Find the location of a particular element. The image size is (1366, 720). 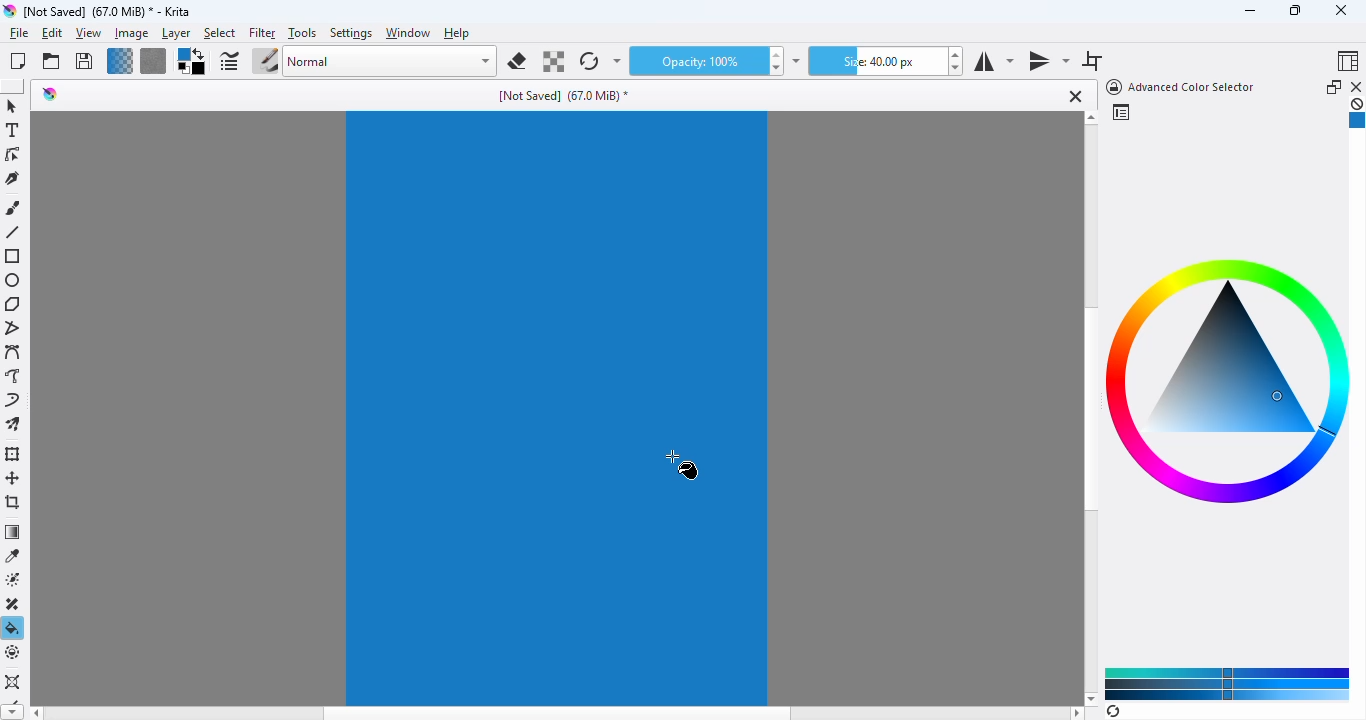

canvas is located at coordinates (557, 408).